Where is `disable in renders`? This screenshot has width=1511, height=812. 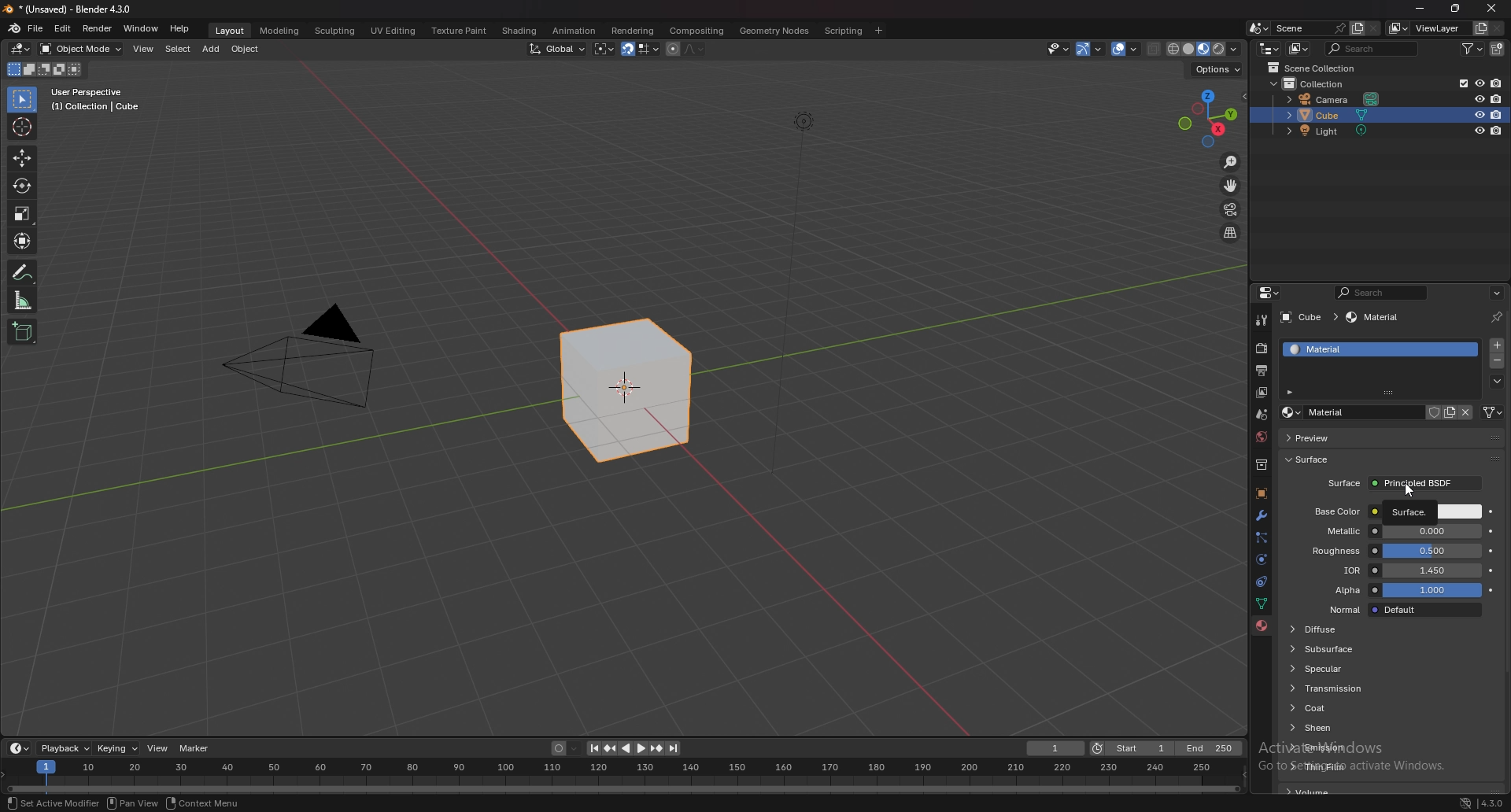 disable in renders is located at coordinates (1497, 131).